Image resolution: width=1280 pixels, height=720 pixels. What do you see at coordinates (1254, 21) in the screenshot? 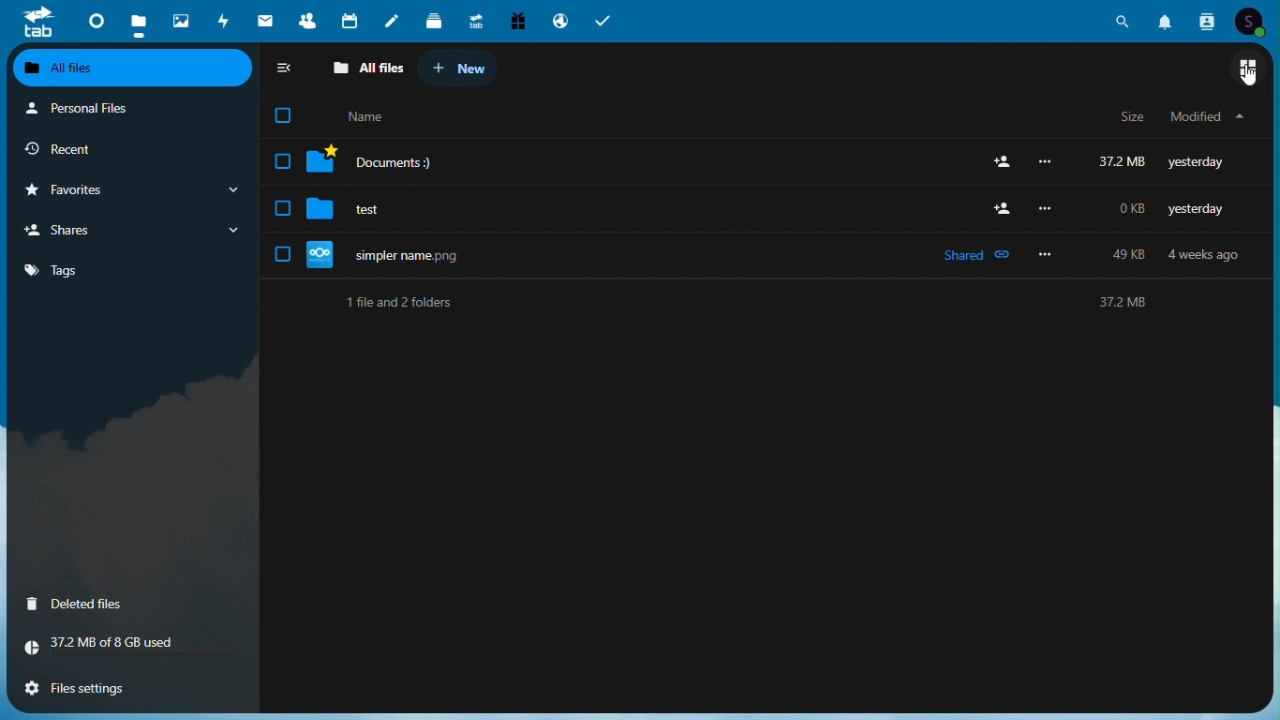
I see `account icon` at bounding box center [1254, 21].